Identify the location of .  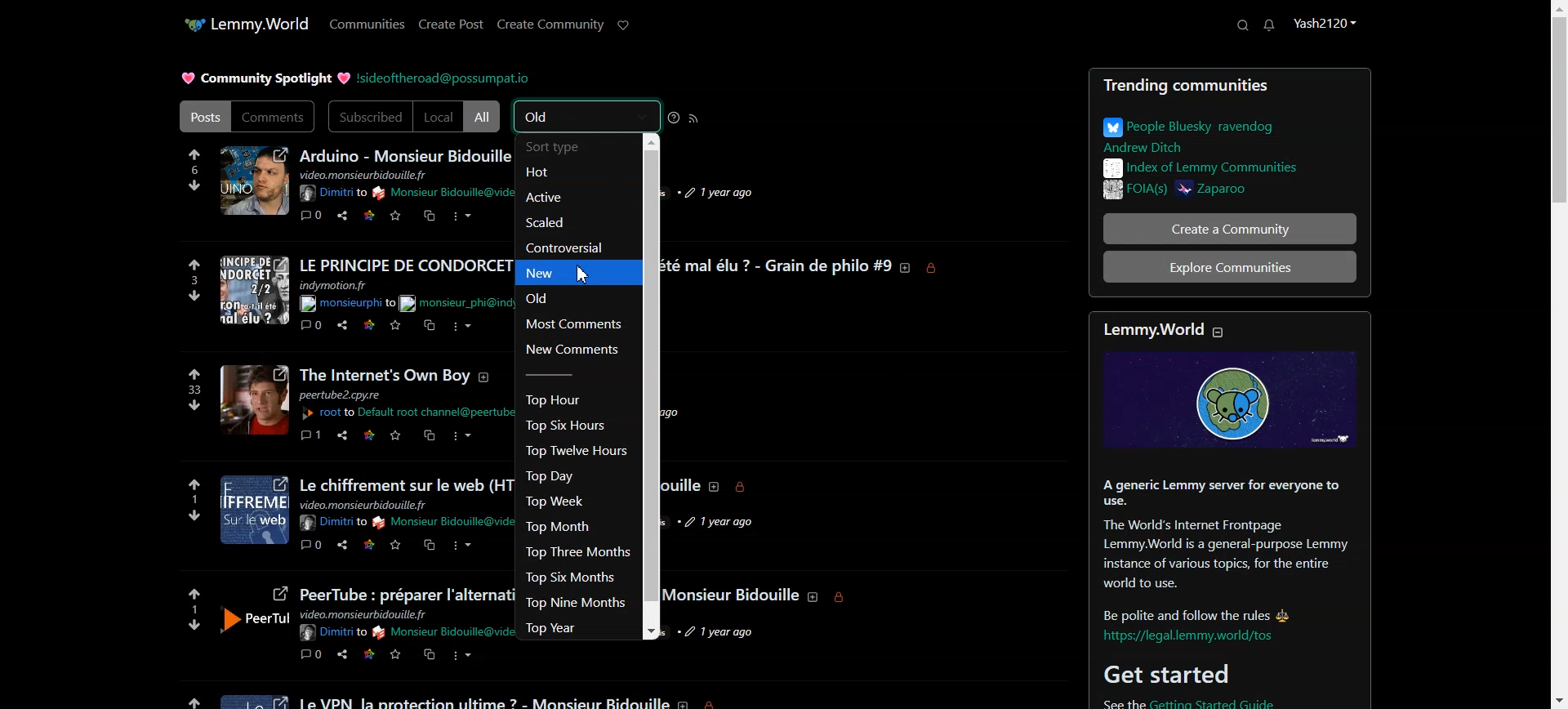
(394, 655).